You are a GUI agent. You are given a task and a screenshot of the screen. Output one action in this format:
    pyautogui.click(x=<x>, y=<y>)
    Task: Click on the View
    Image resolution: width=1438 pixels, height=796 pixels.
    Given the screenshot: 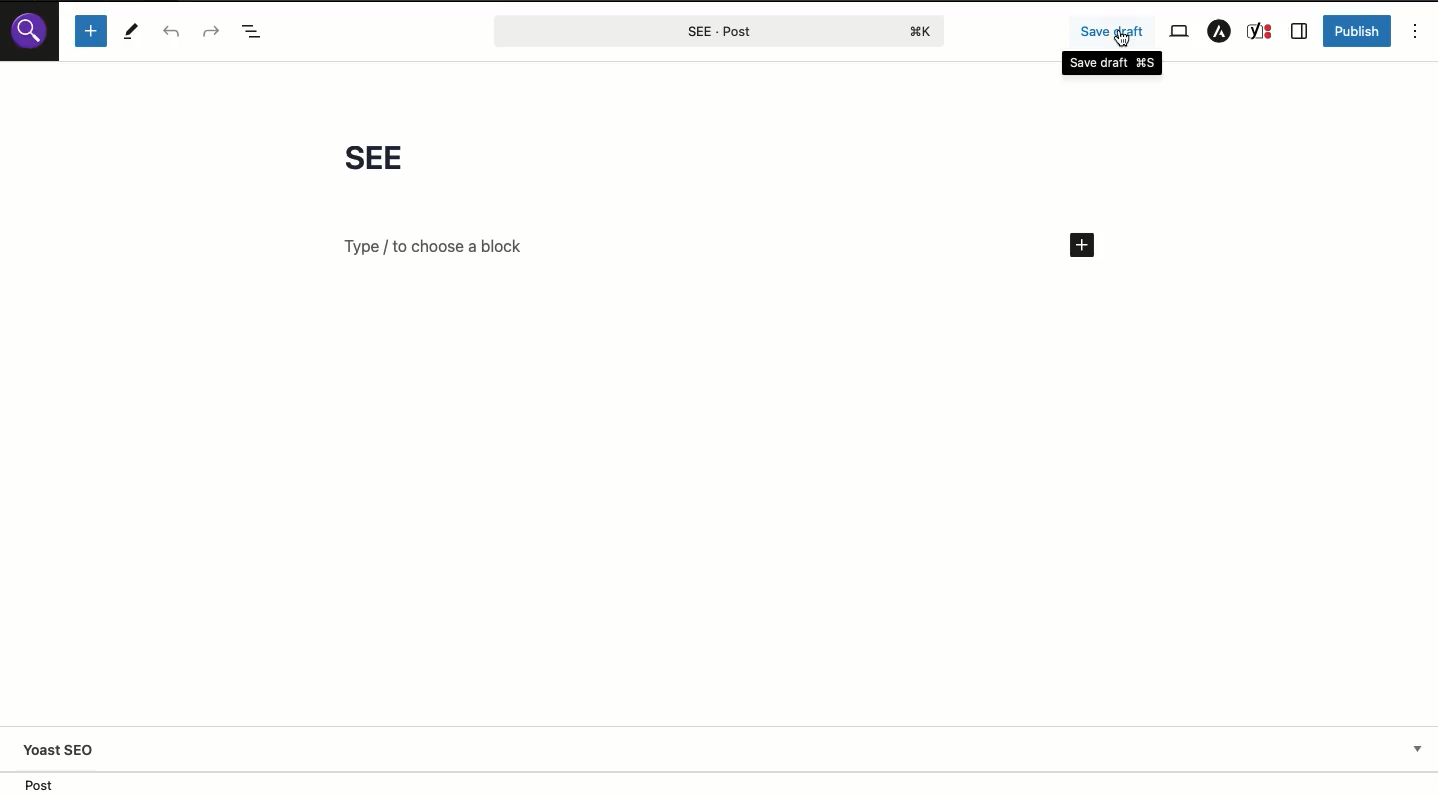 What is the action you would take?
    pyautogui.click(x=1182, y=31)
    